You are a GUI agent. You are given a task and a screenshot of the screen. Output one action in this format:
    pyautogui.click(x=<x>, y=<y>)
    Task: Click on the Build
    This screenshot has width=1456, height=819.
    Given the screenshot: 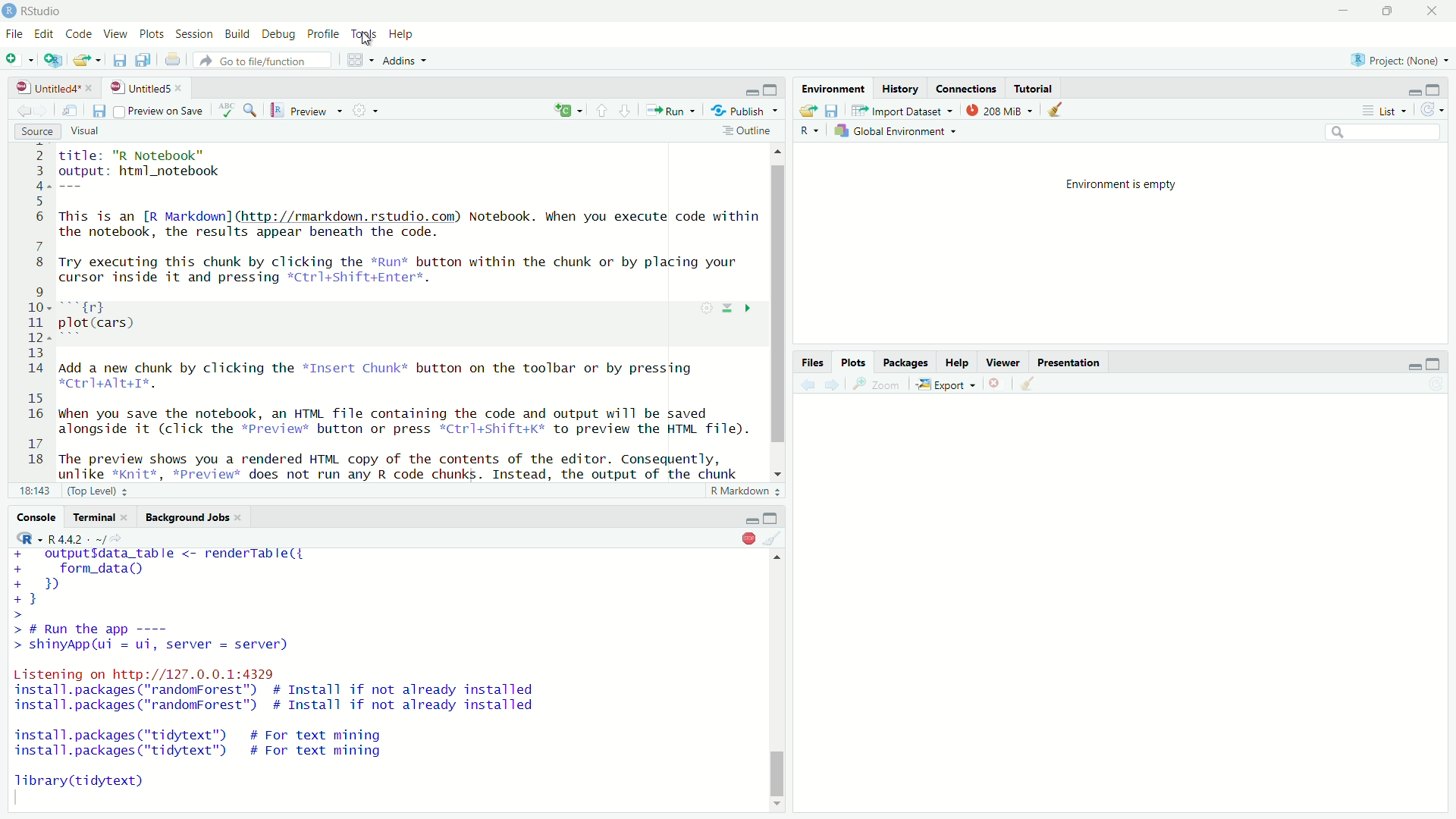 What is the action you would take?
    pyautogui.click(x=239, y=35)
    